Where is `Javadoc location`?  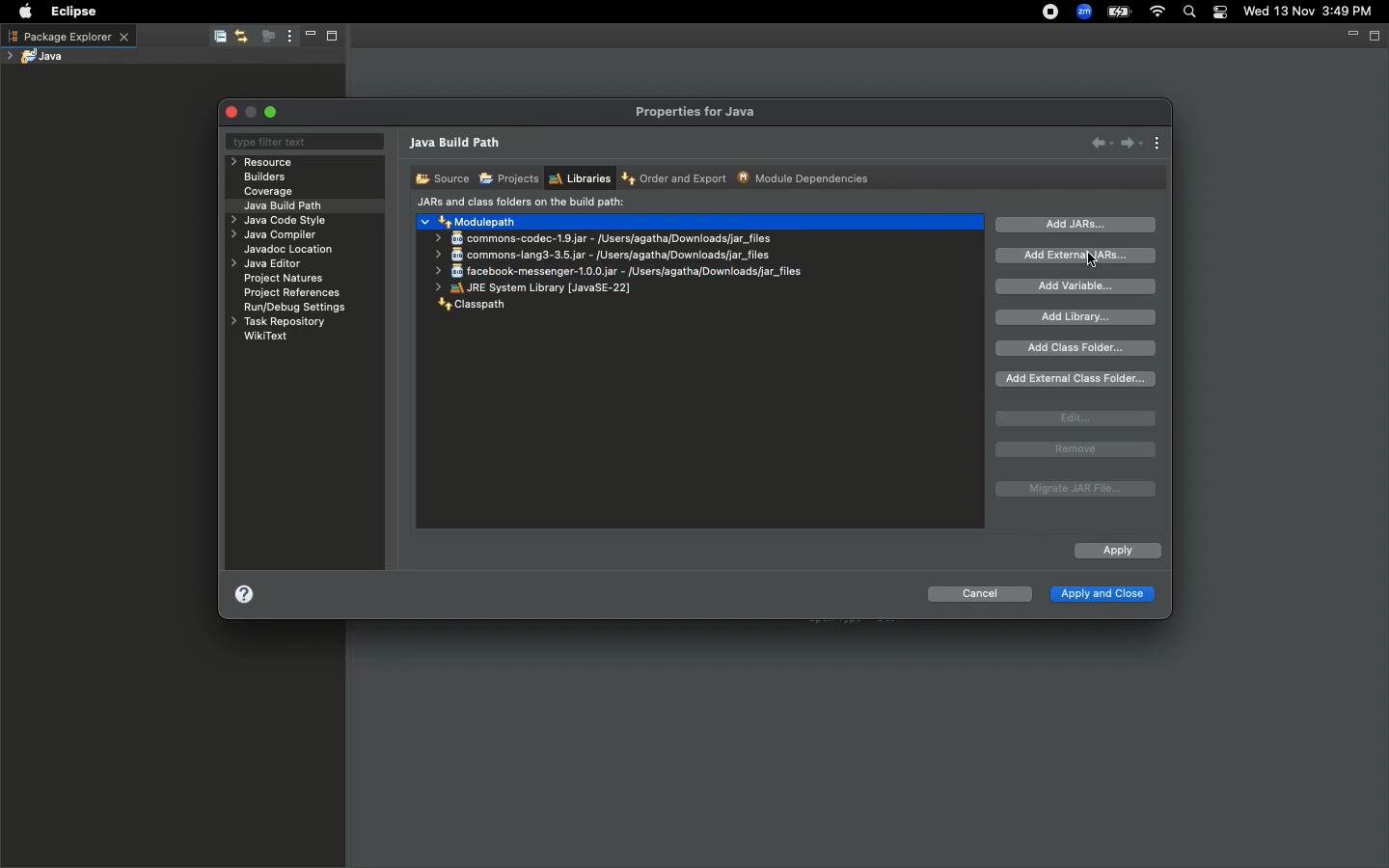 Javadoc location is located at coordinates (290, 251).